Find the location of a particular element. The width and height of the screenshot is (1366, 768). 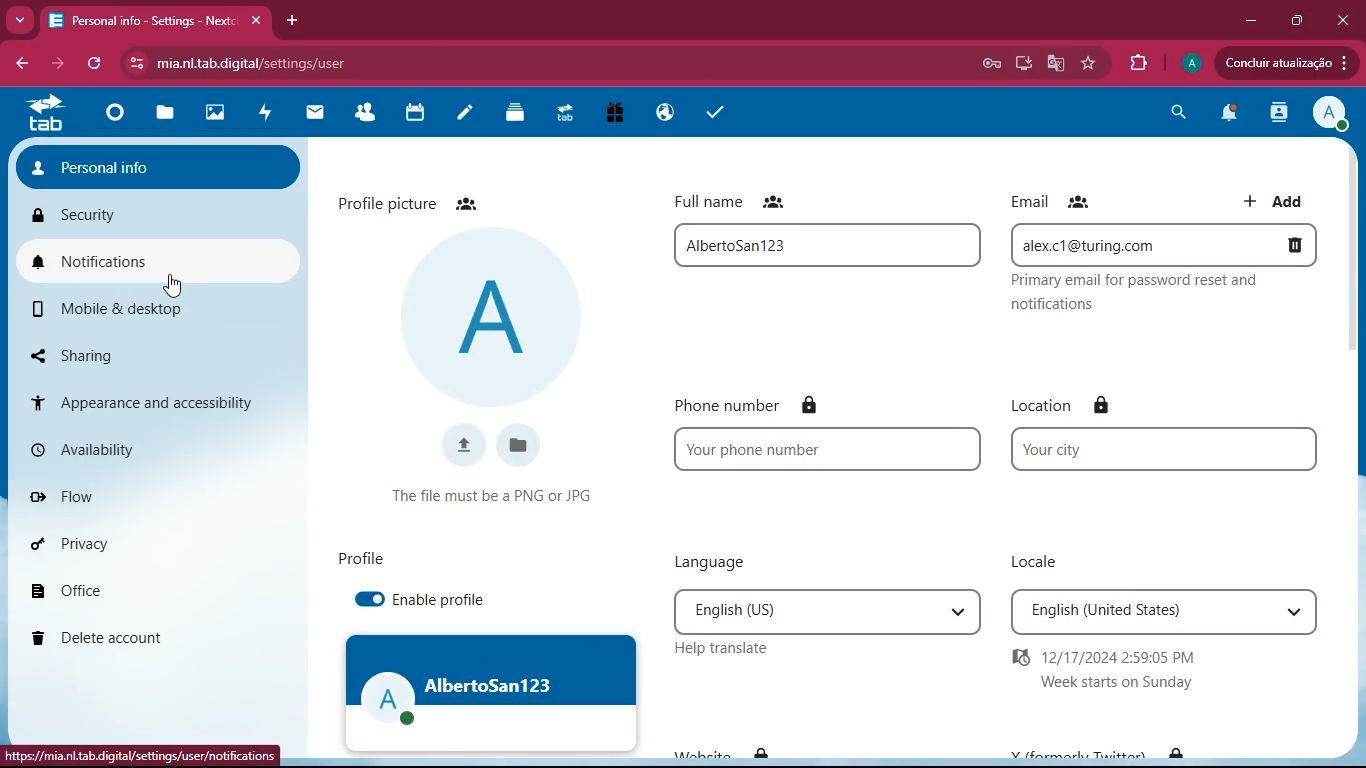

enable profile is located at coordinates (445, 600).